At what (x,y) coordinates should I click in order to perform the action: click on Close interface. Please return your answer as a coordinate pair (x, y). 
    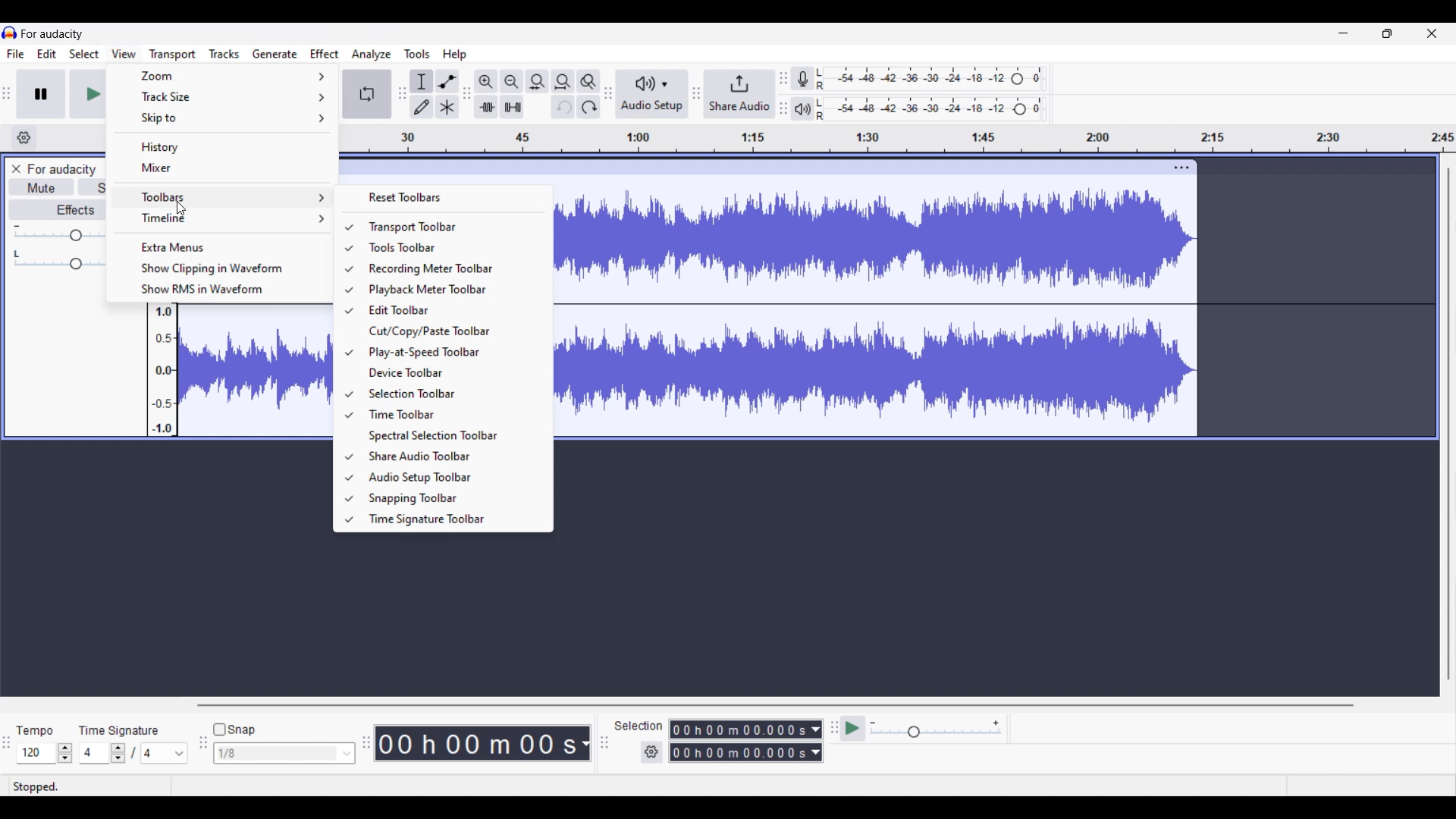
    Looking at the image, I should click on (1432, 33).